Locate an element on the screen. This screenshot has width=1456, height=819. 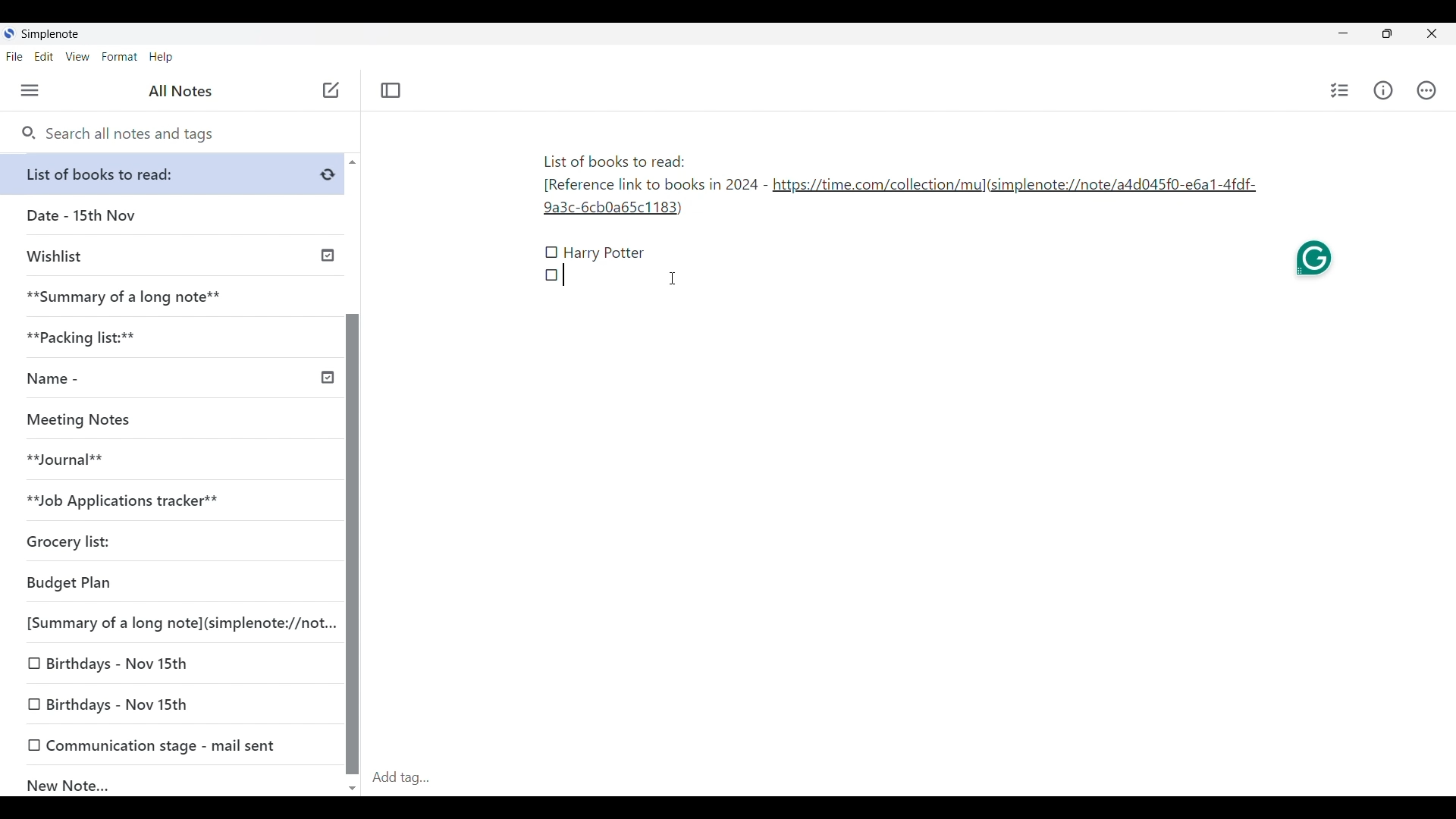
List of books to read: is located at coordinates (176, 174).